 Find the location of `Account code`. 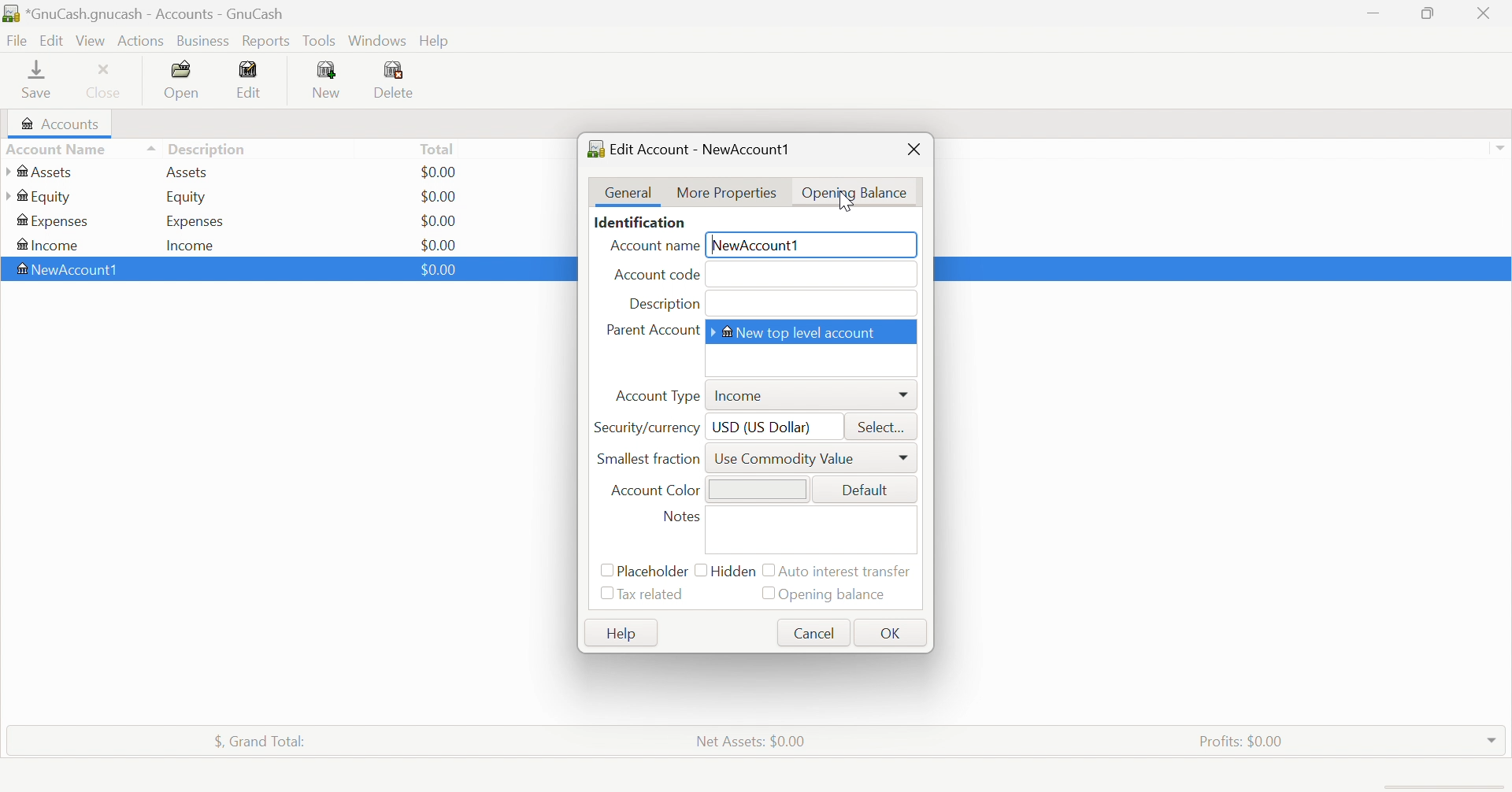

Account code is located at coordinates (654, 275).